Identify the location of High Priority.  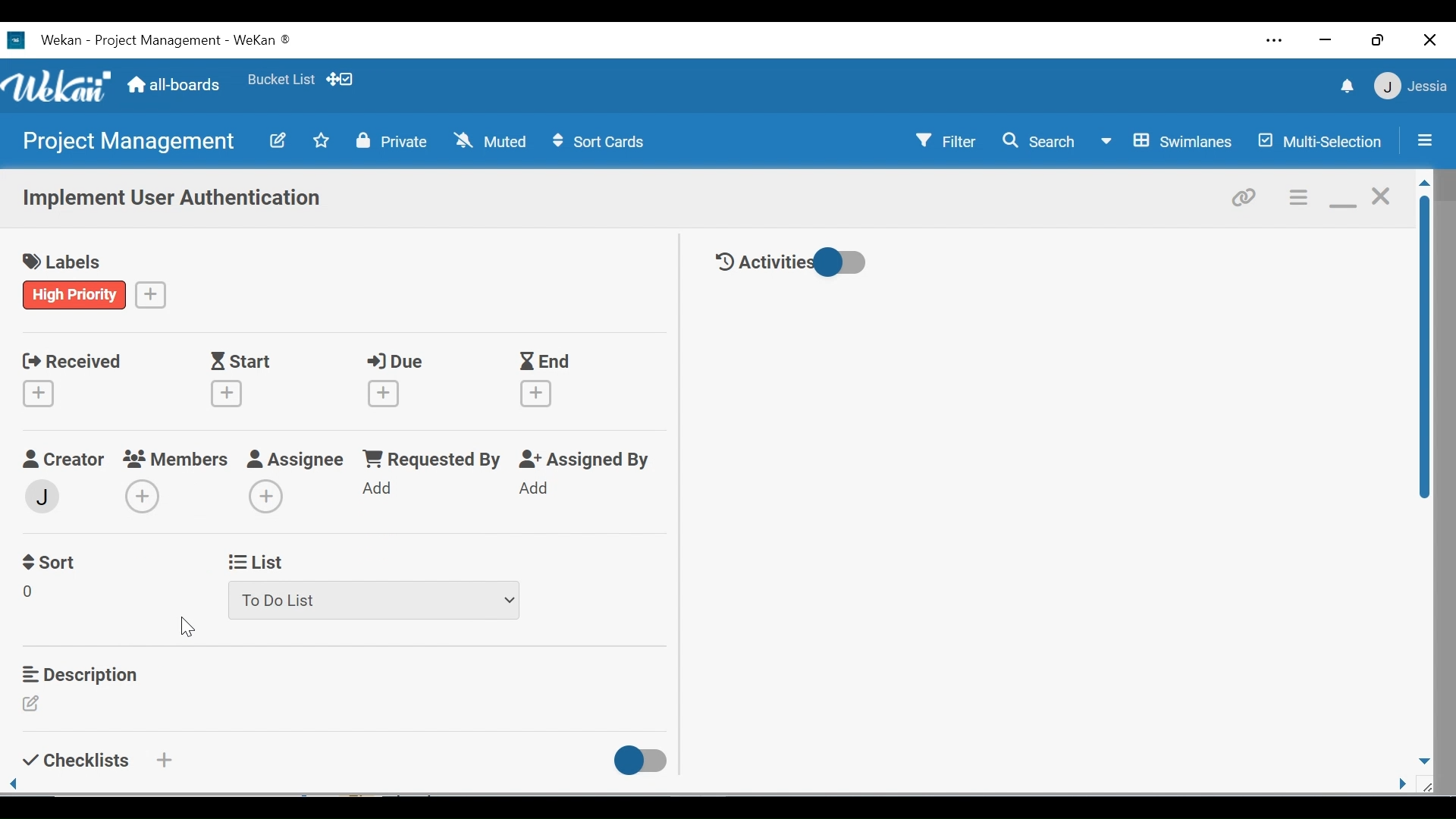
(76, 295).